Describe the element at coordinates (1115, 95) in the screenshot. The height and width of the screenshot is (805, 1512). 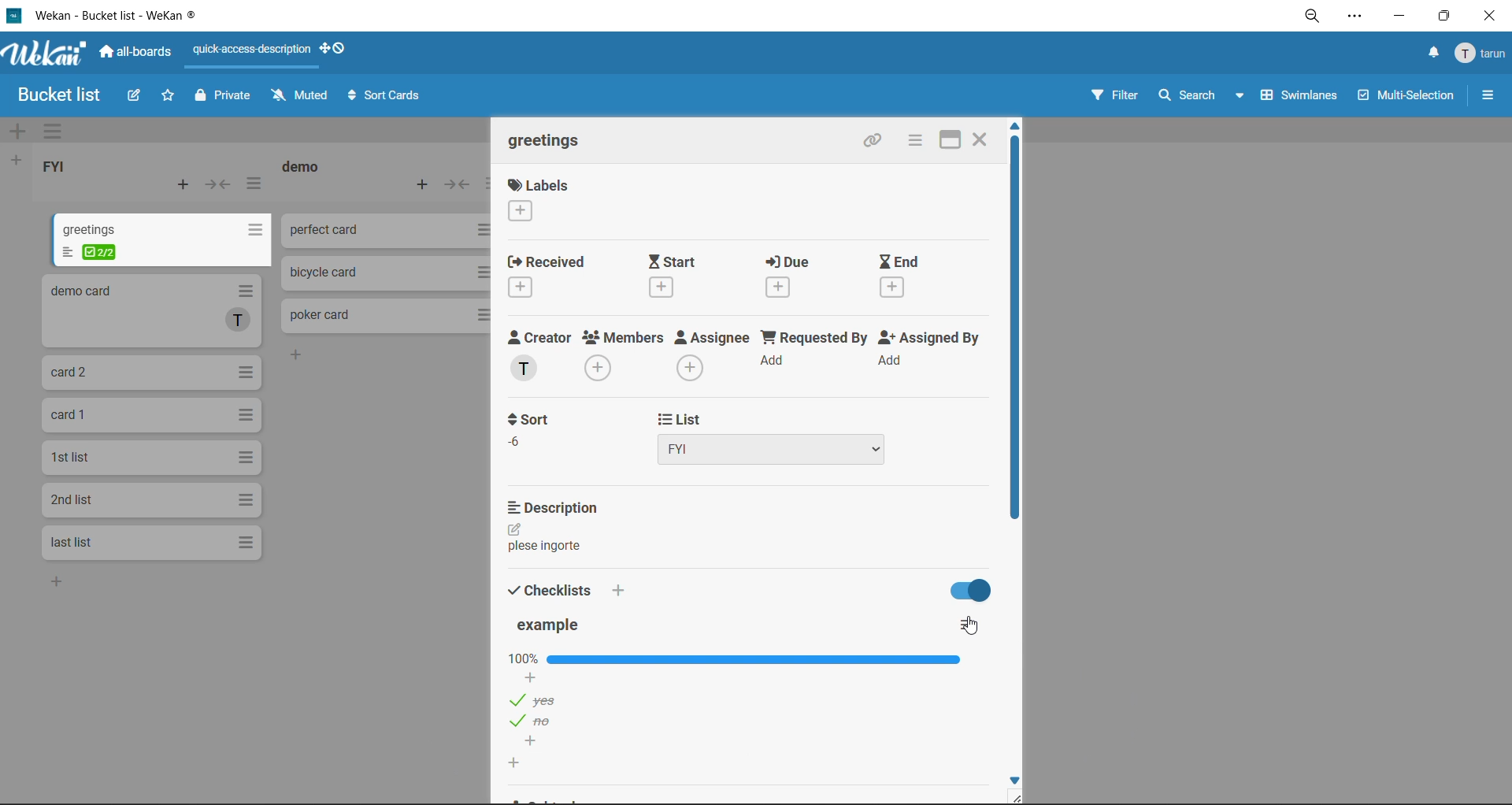
I see `filter` at that location.